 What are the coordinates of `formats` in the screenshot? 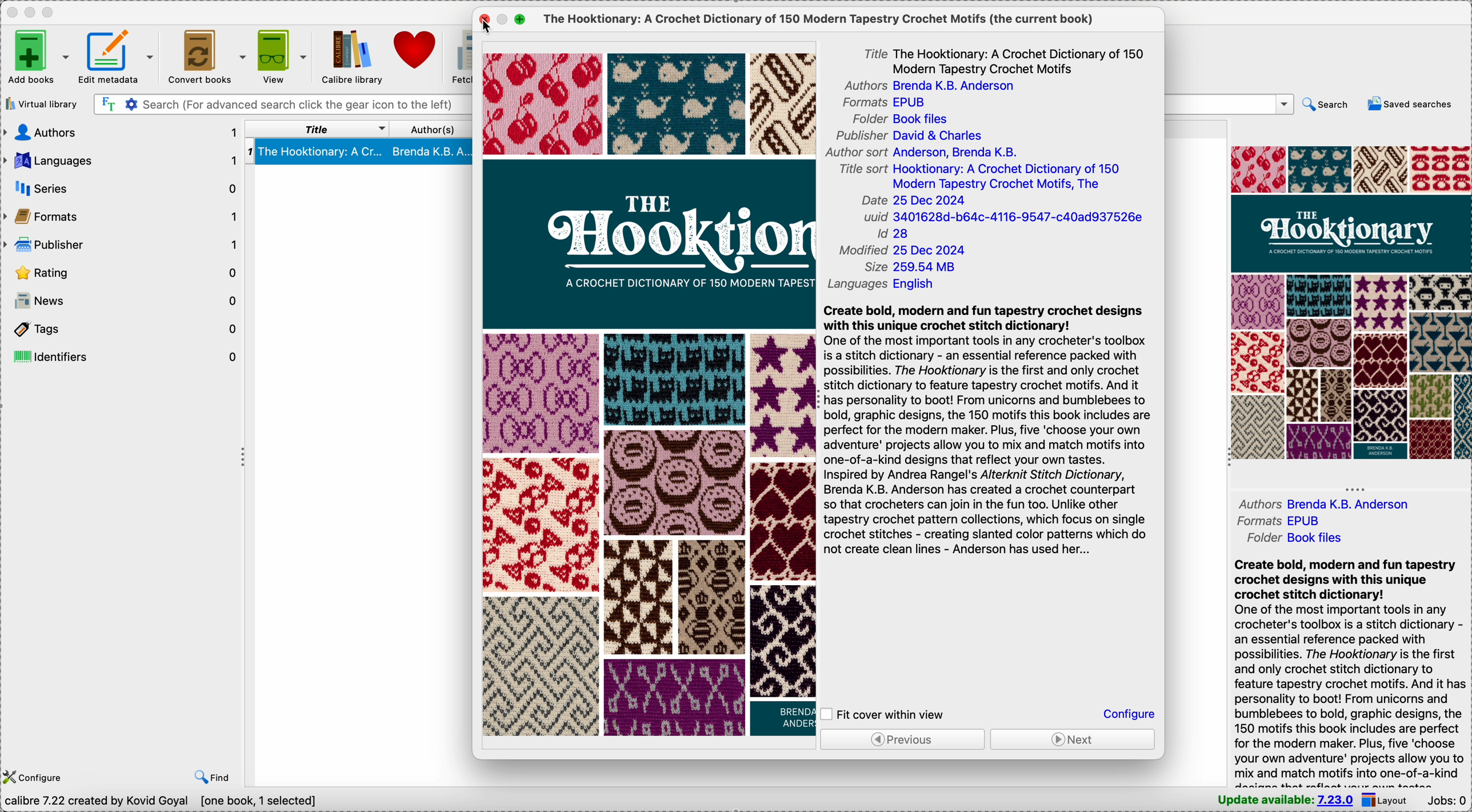 It's located at (890, 103).